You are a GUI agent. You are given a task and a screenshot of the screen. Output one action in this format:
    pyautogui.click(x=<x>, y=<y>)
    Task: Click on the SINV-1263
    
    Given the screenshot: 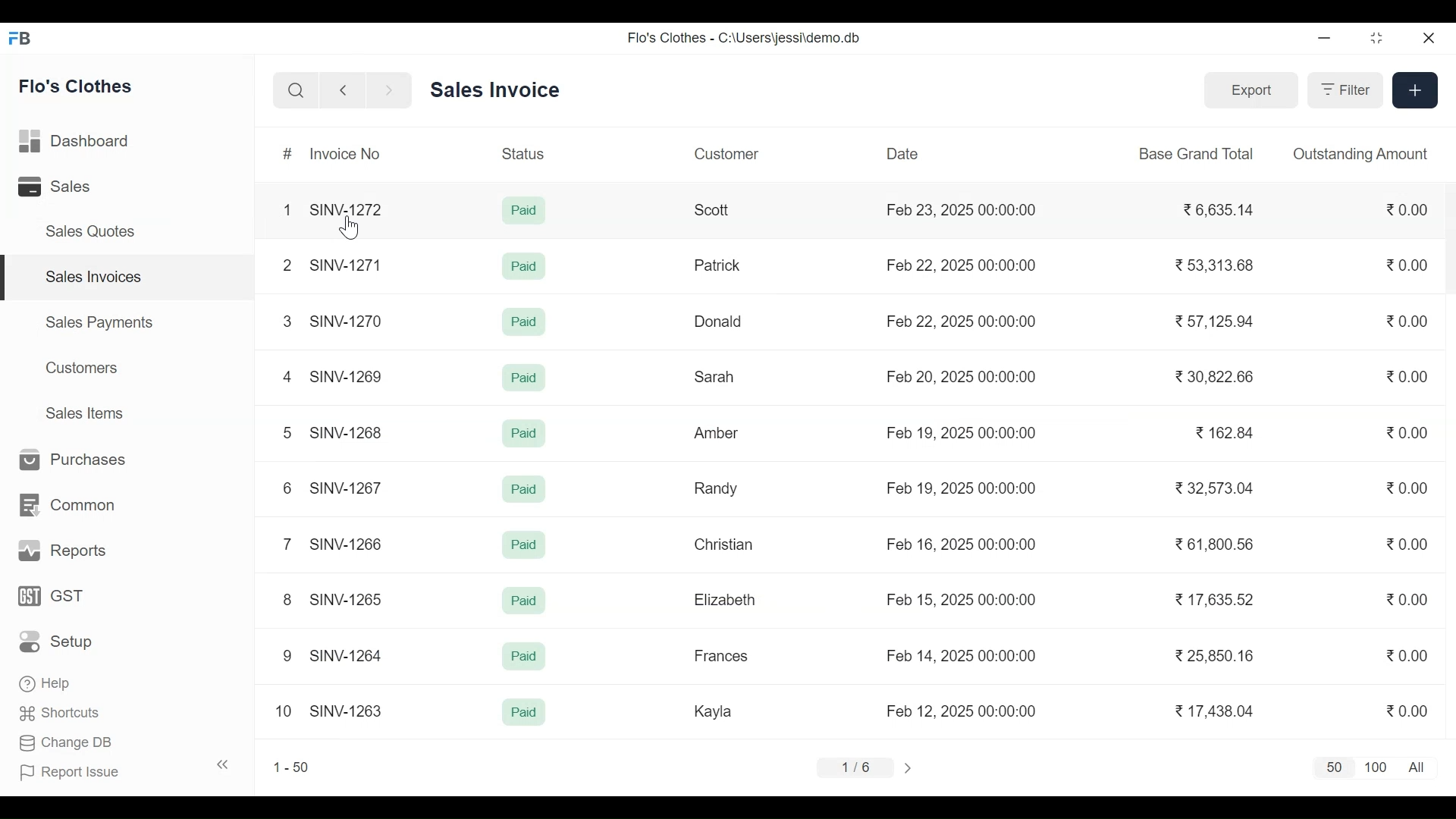 What is the action you would take?
    pyautogui.click(x=347, y=710)
    